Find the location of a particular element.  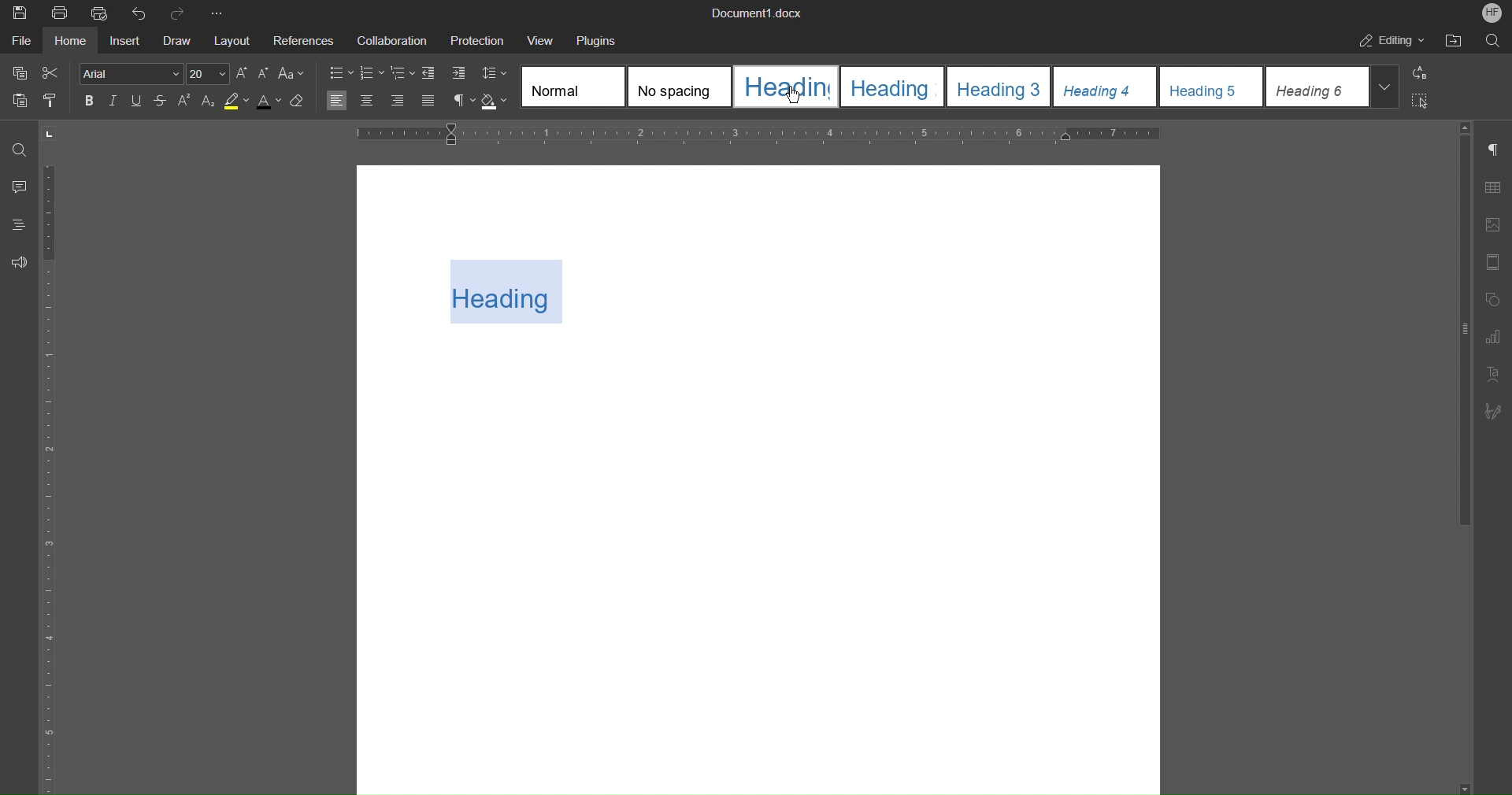

Home is located at coordinates (73, 44).